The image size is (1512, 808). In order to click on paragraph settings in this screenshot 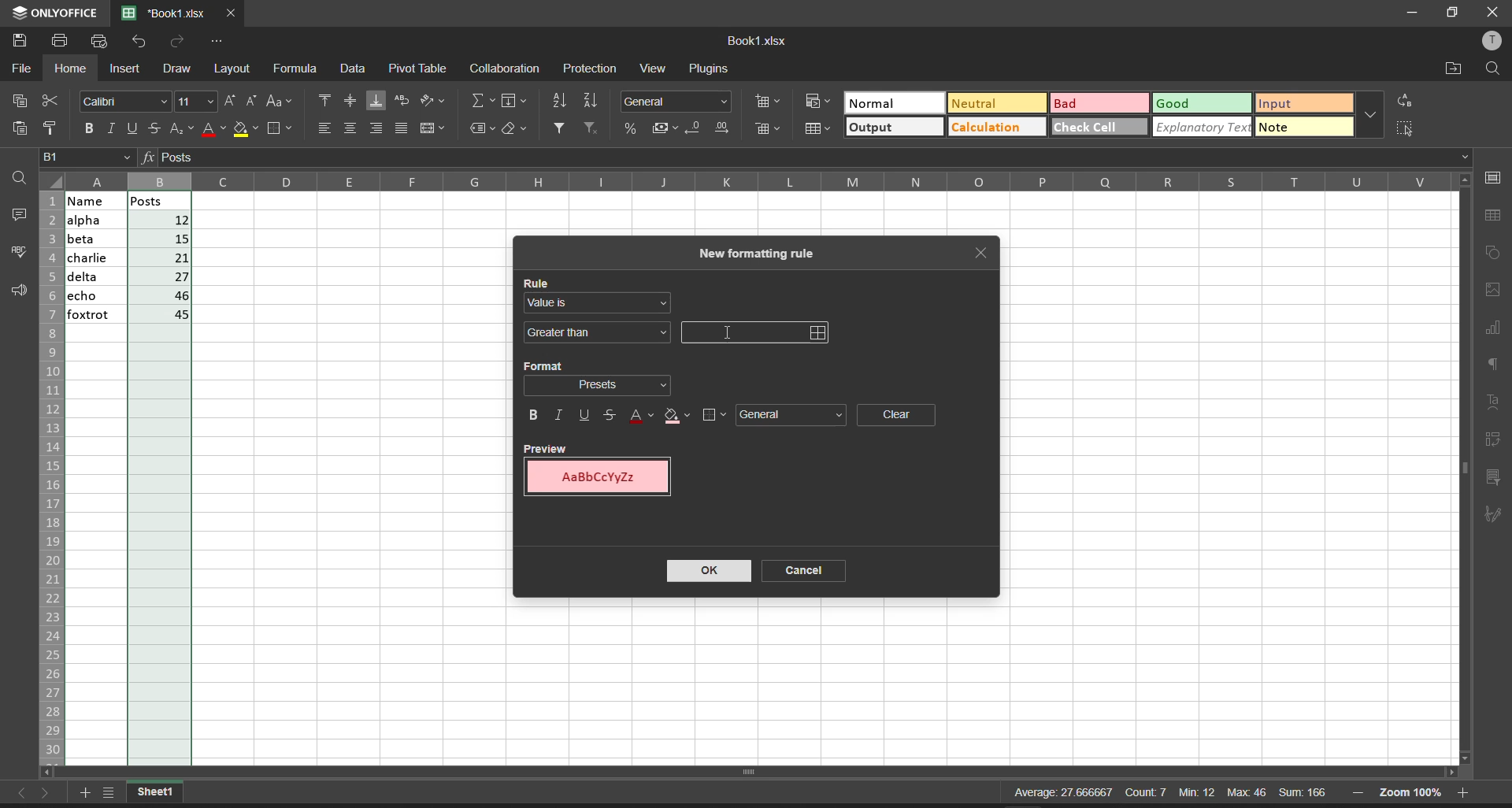, I will do `click(1498, 363)`.